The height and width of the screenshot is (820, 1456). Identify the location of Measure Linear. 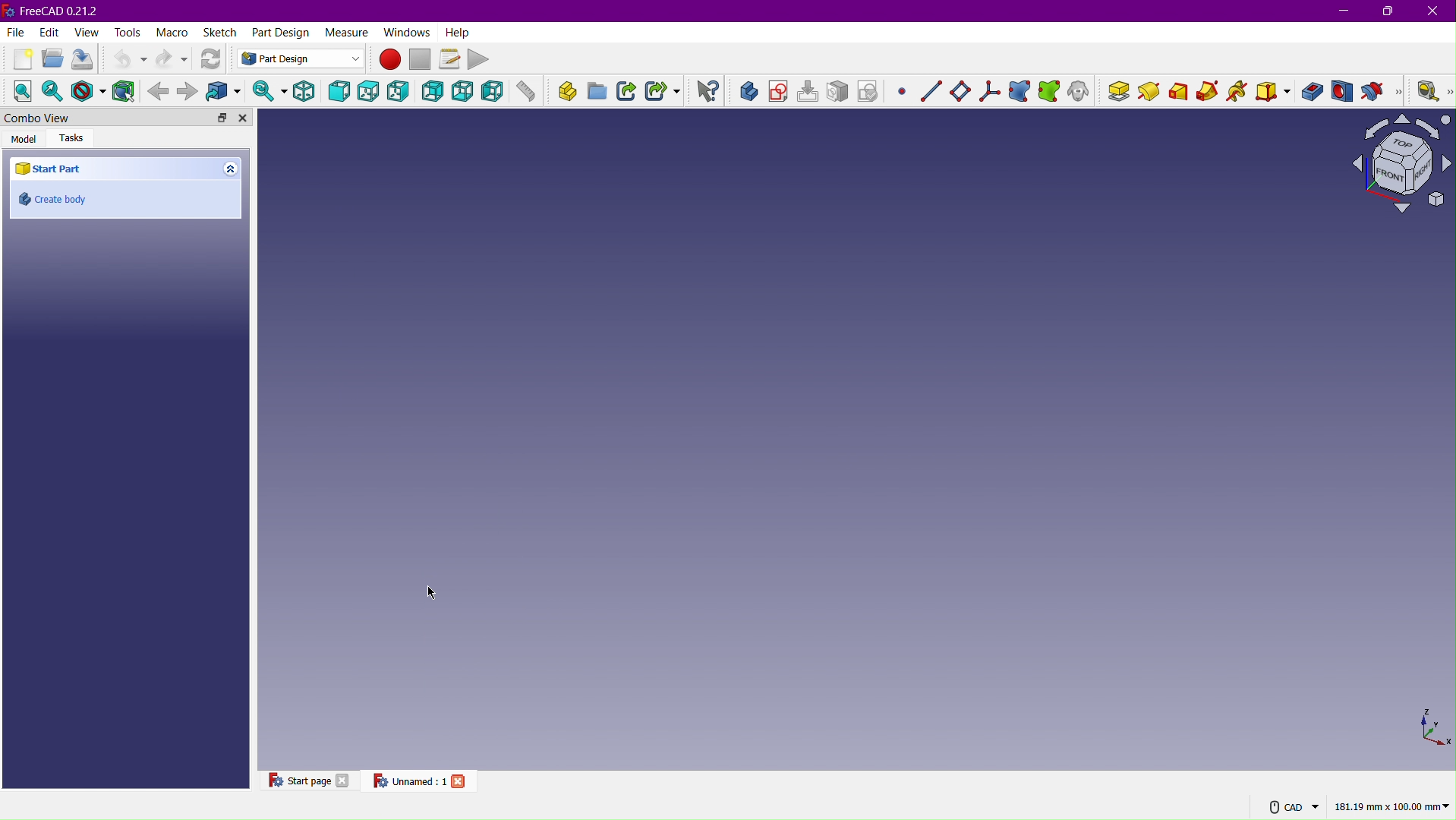
(1423, 93).